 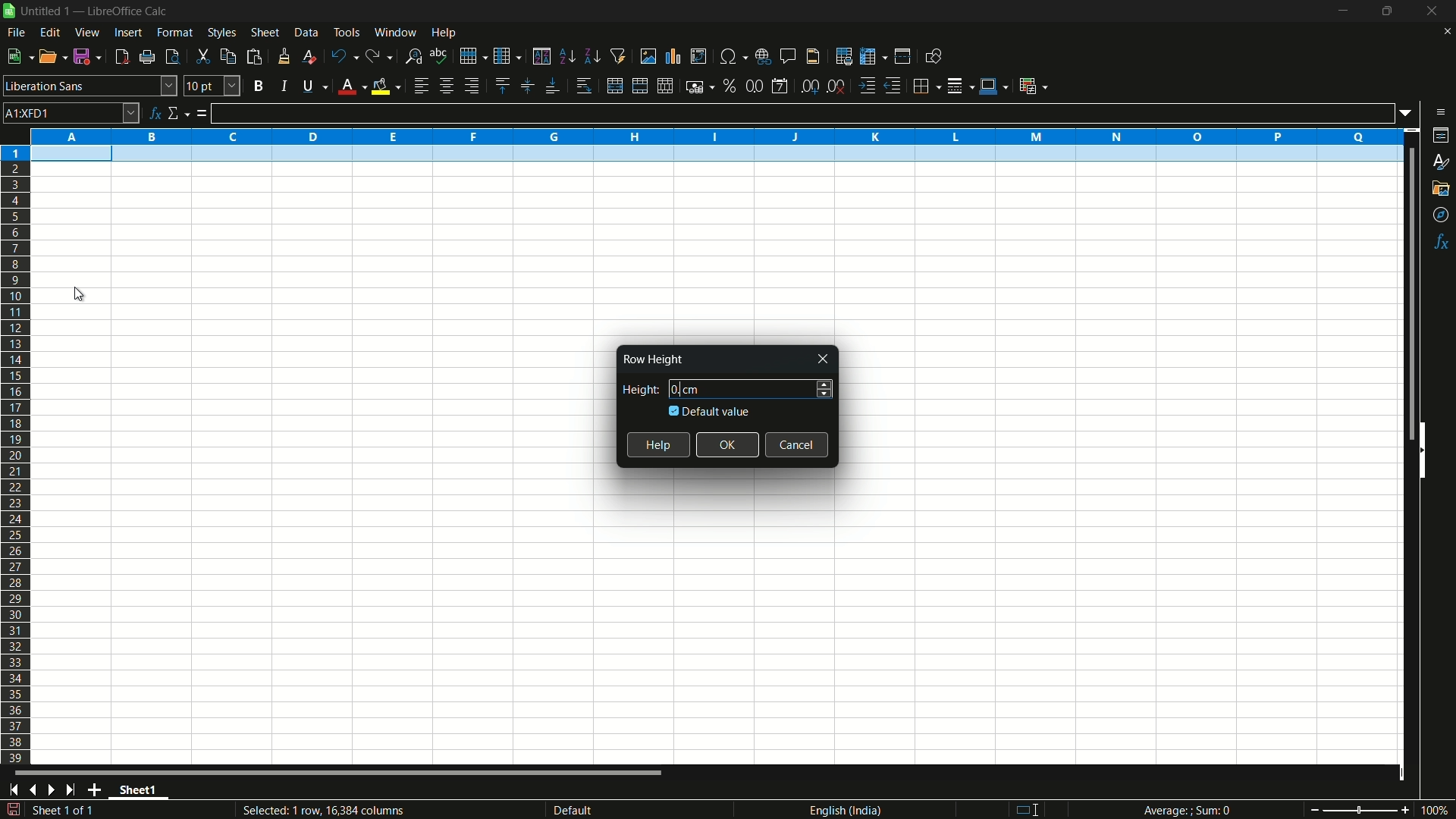 What do you see at coordinates (1442, 135) in the screenshot?
I see `properties` at bounding box center [1442, 135].